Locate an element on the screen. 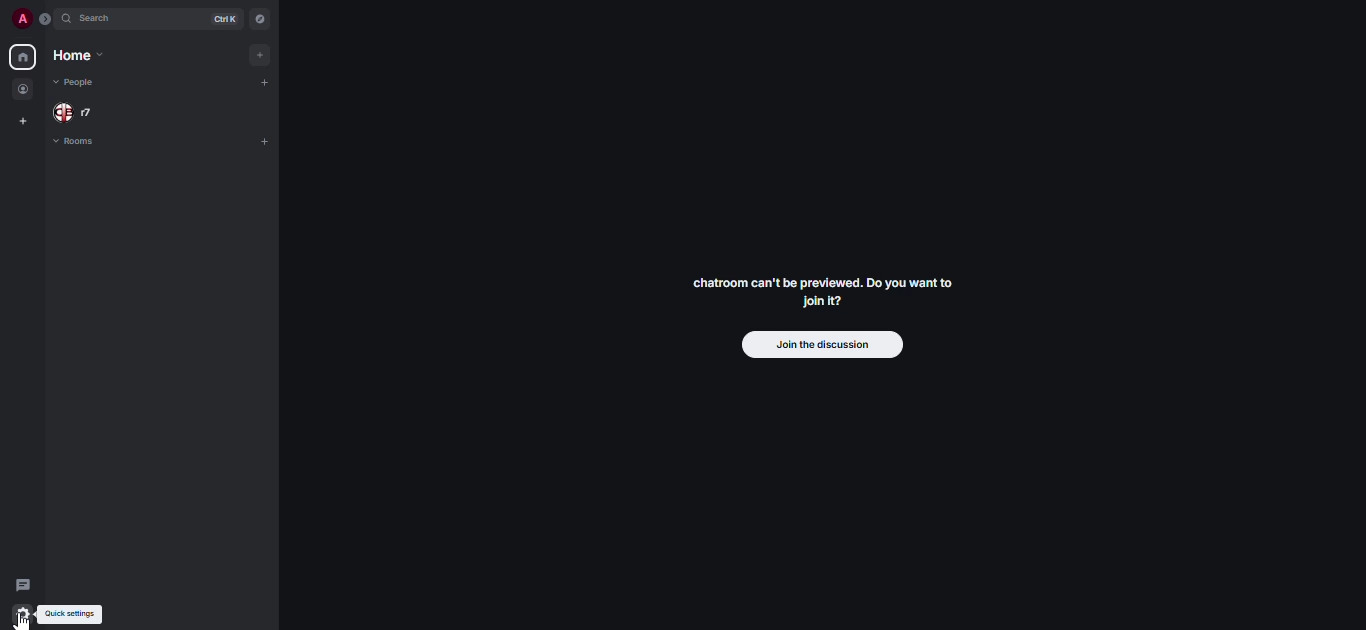 The image size is (1366, 630). quick settings is located at coordinates (72, 614).